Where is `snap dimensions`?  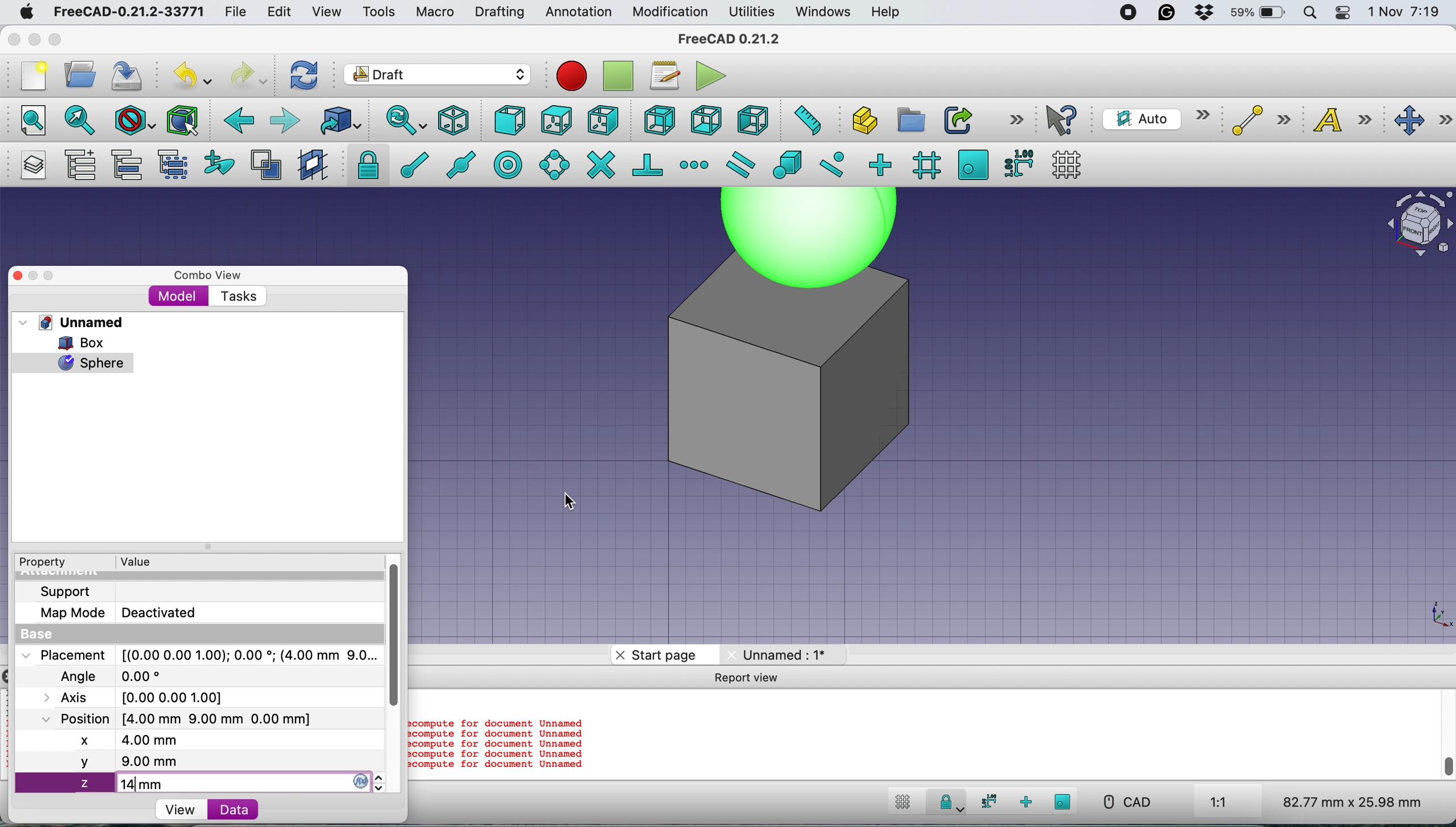 snap dimensions is located at coordinates (1018, 162).